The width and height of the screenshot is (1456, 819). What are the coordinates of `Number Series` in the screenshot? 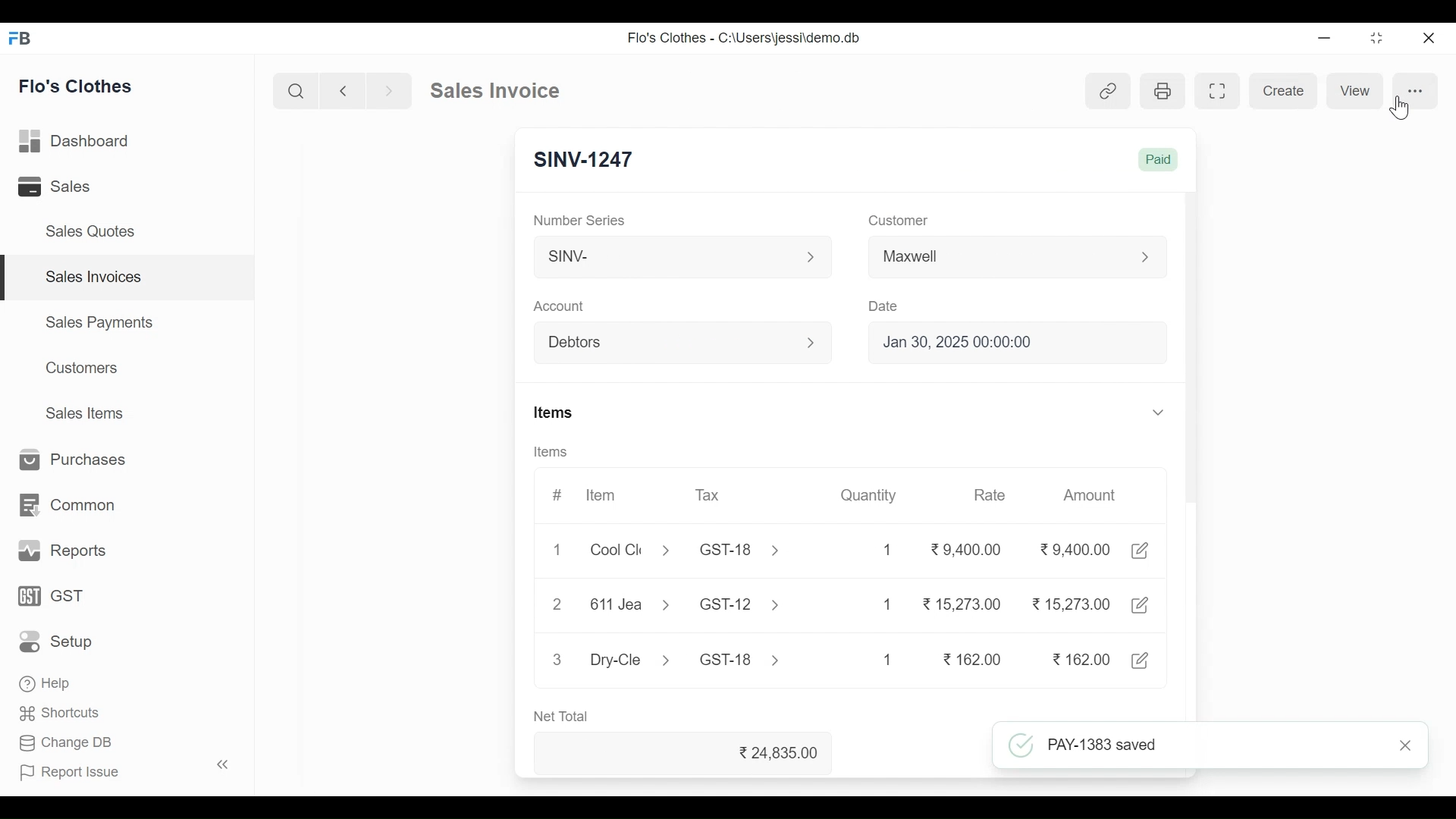 It's located at (585, 219).